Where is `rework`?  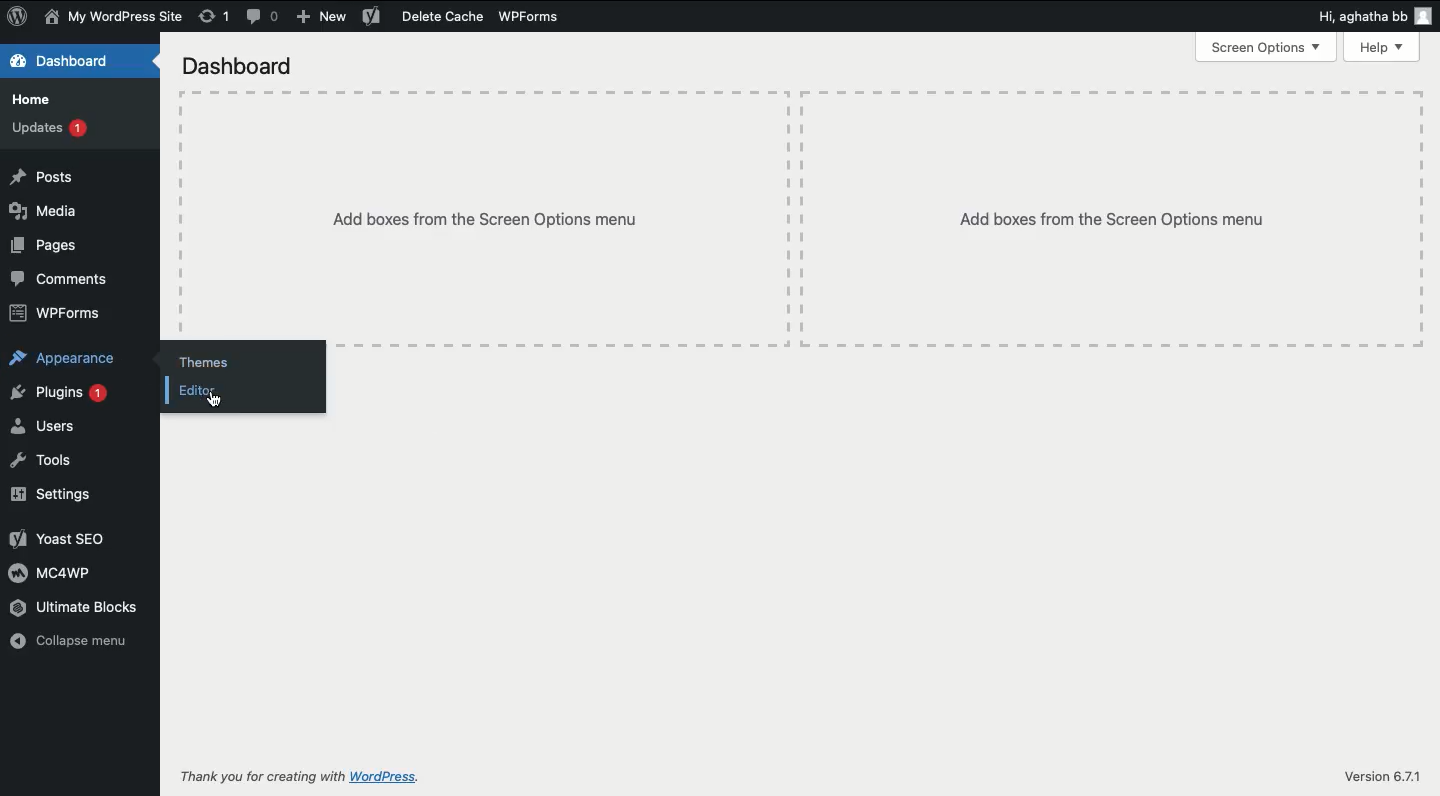
rework is located at coordinates (213, 18).